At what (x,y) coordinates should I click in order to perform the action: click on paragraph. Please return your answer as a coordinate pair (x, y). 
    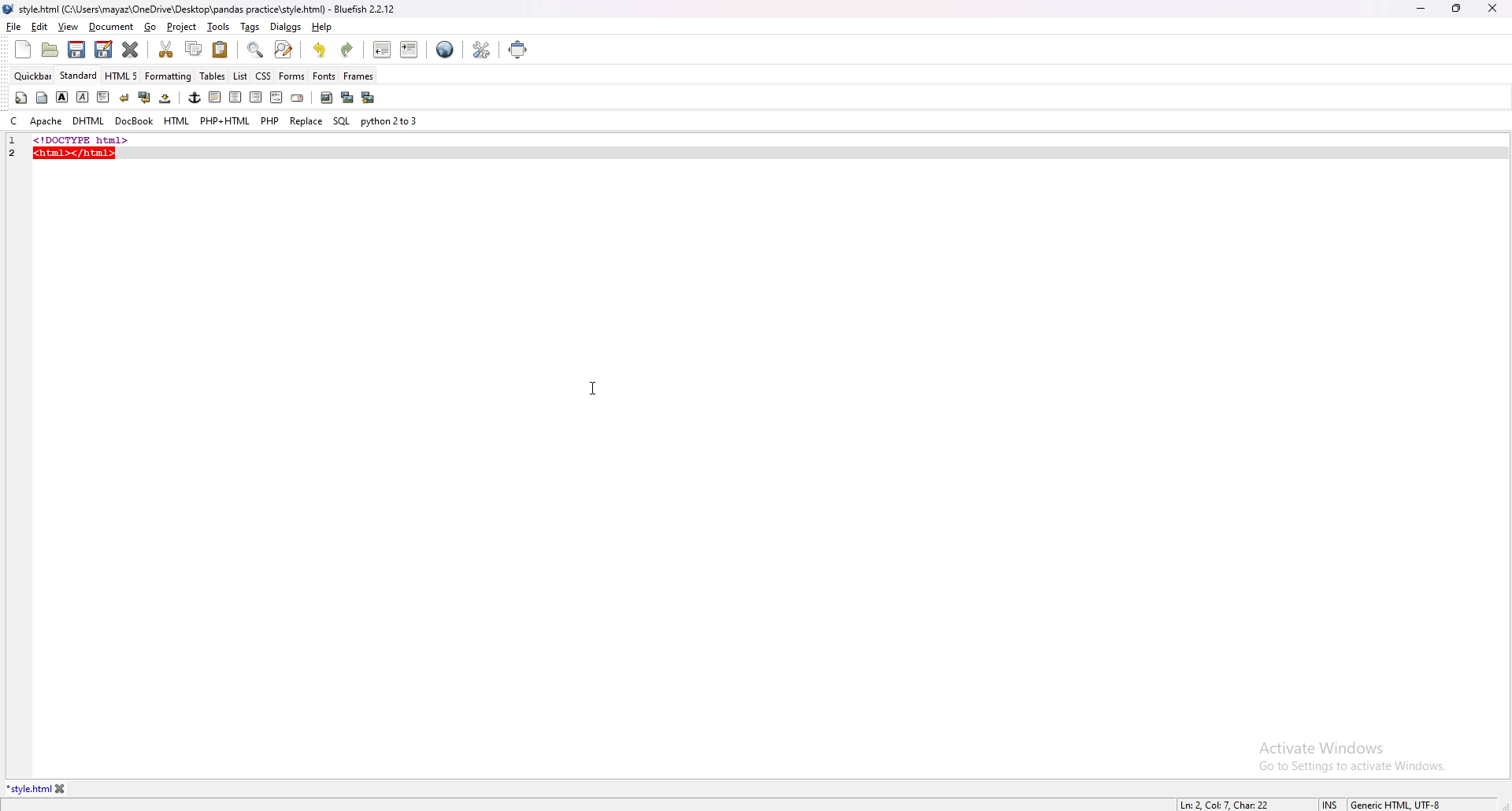
    Looking at the image, I should click on (102, 96).